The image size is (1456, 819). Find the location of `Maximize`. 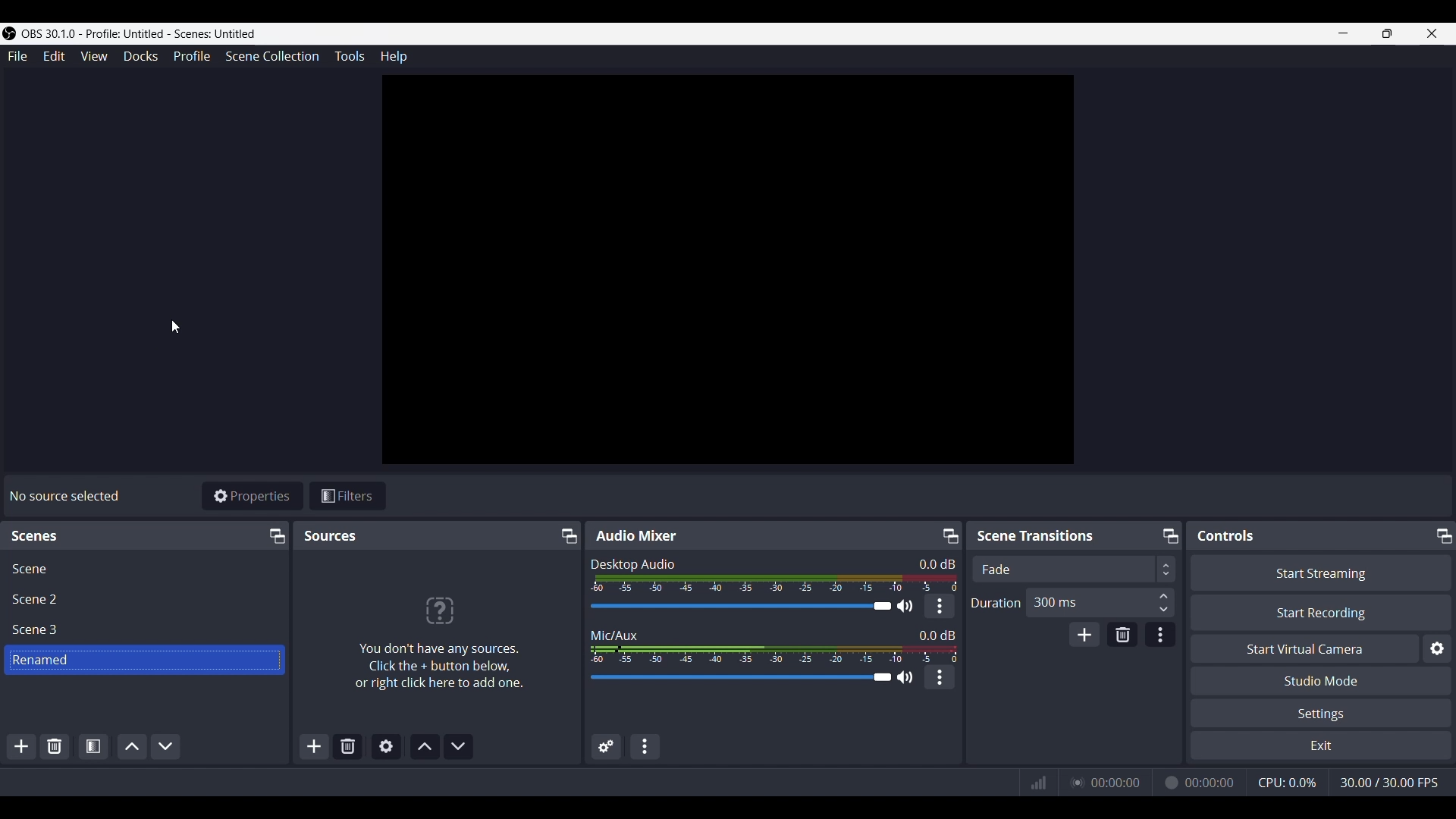

Maximize is located at coordinates (1388, 33).